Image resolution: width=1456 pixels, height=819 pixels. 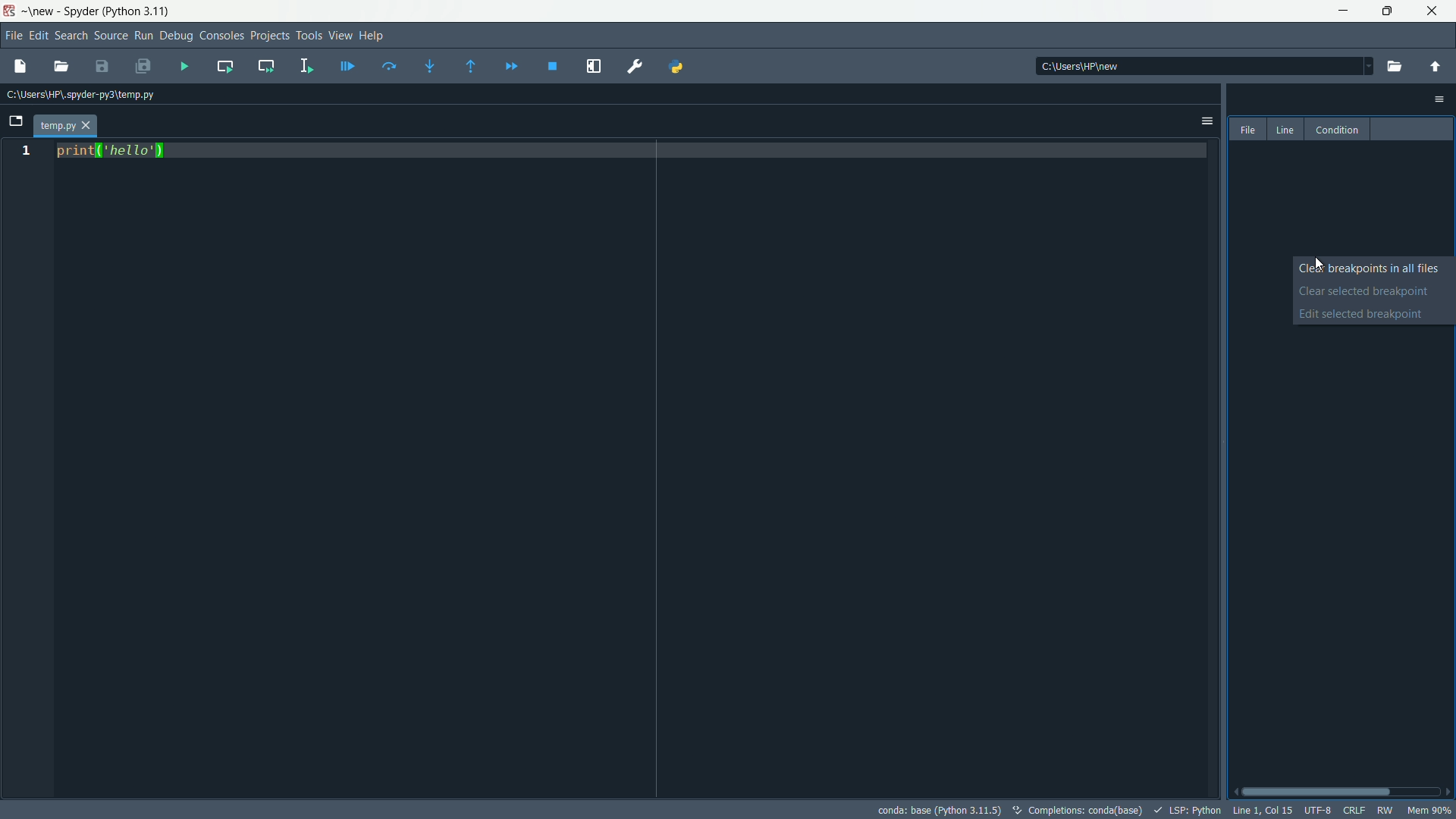 I want to click on close app, so click(x=1435, y=11).